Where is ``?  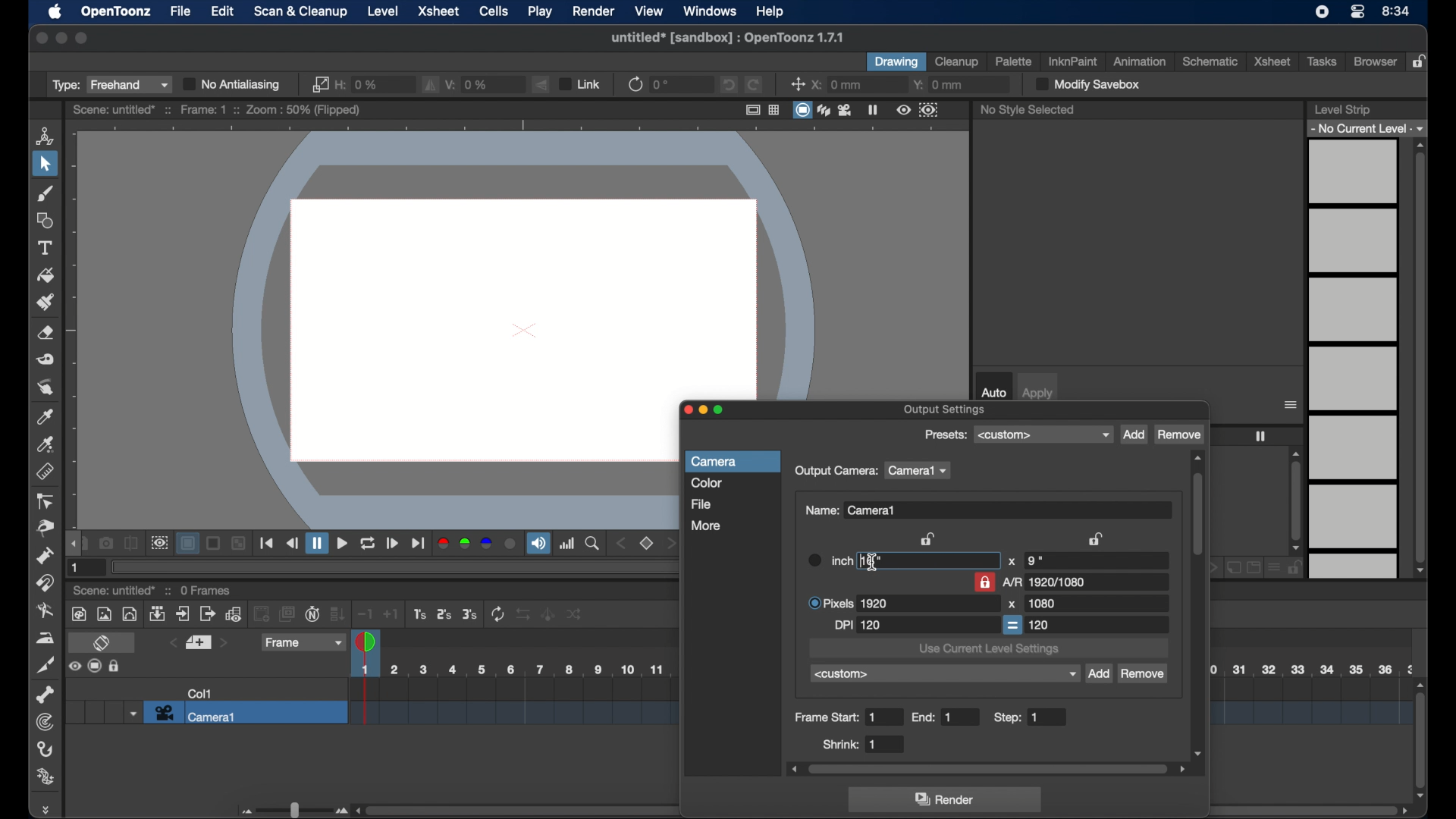
 is located at coordinates (945, 435).